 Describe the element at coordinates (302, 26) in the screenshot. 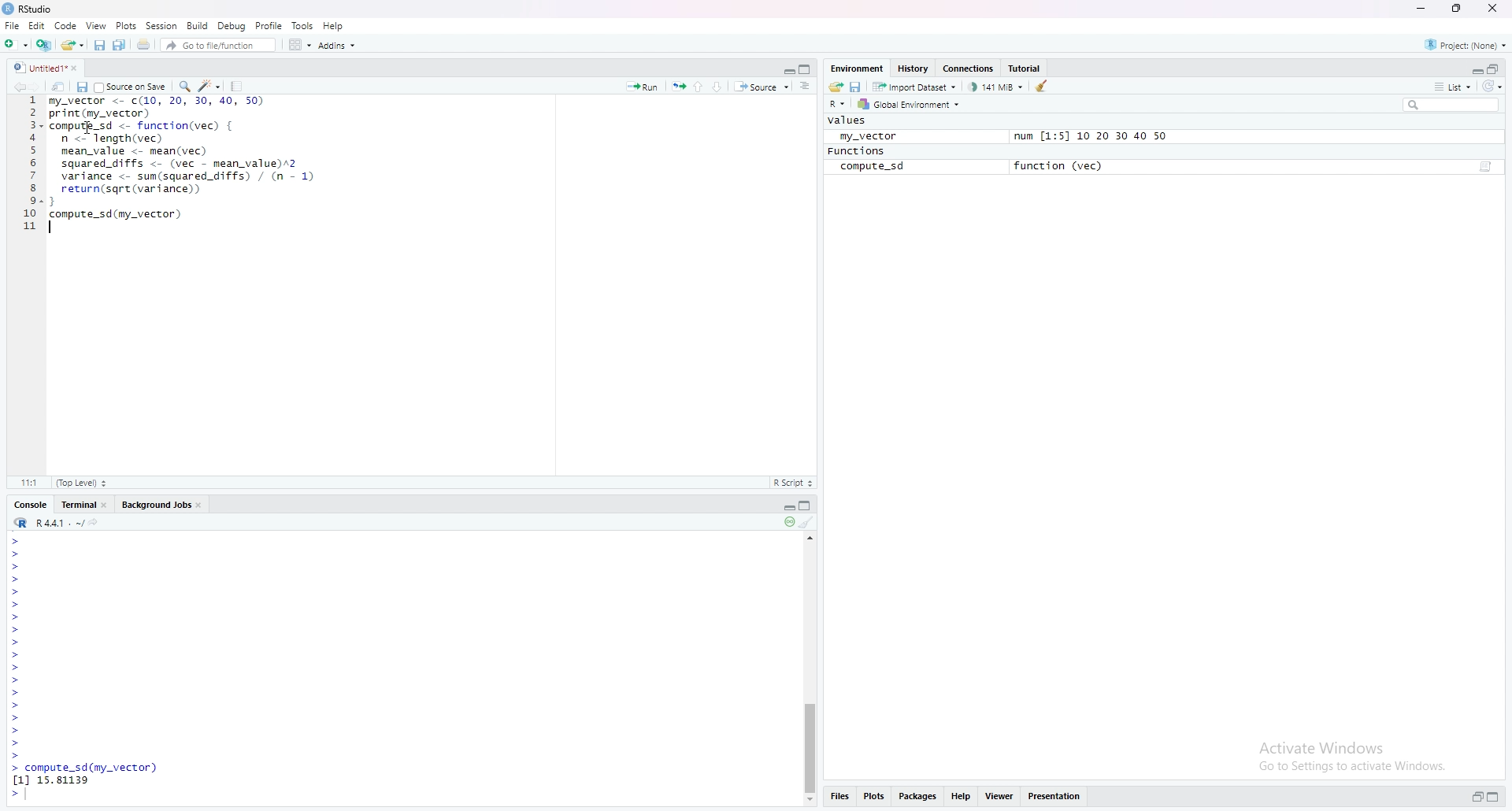

I see `Tools` at that location.